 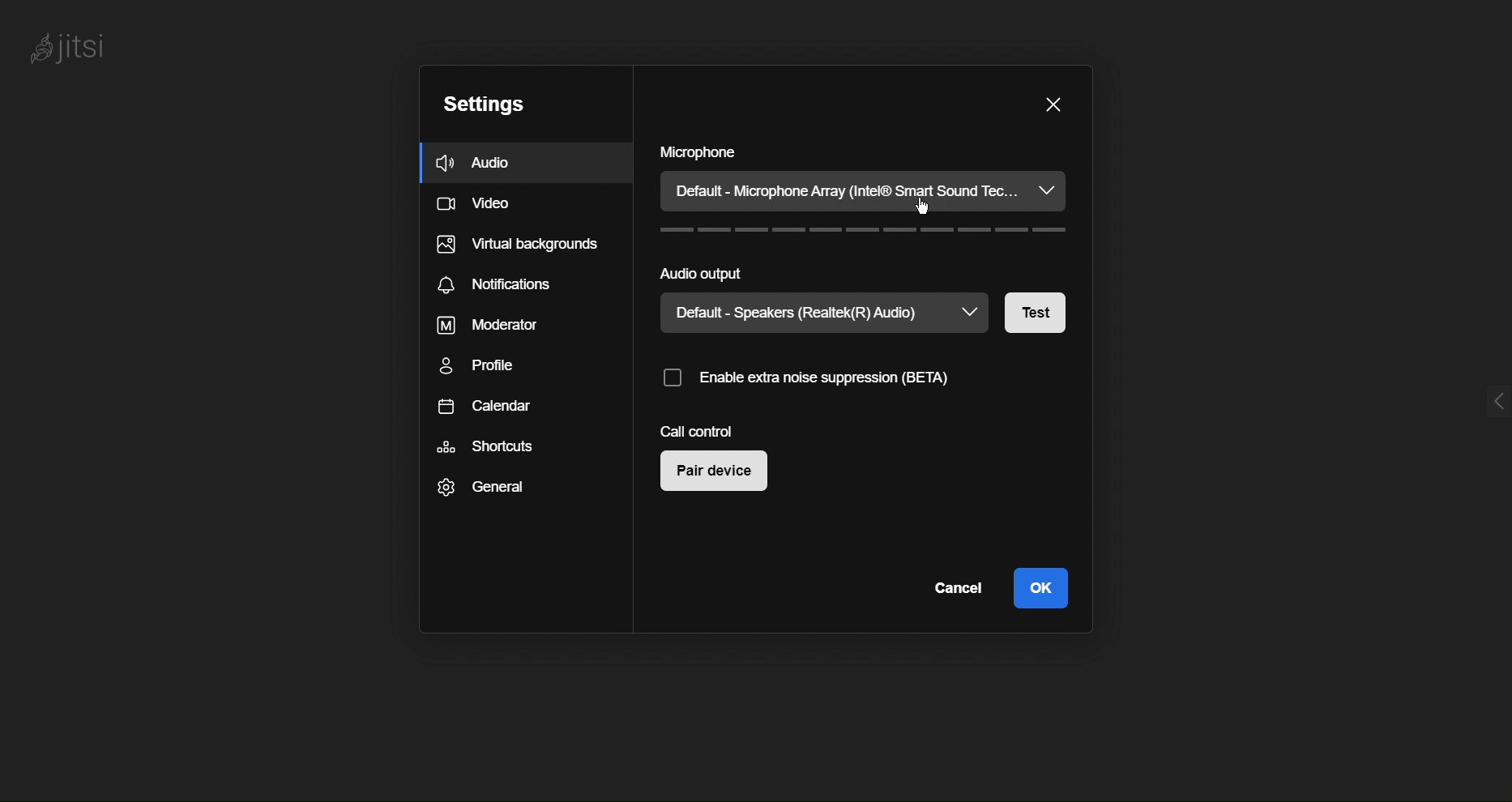 I want to click on Audio Output, so click(x=861, y=271).